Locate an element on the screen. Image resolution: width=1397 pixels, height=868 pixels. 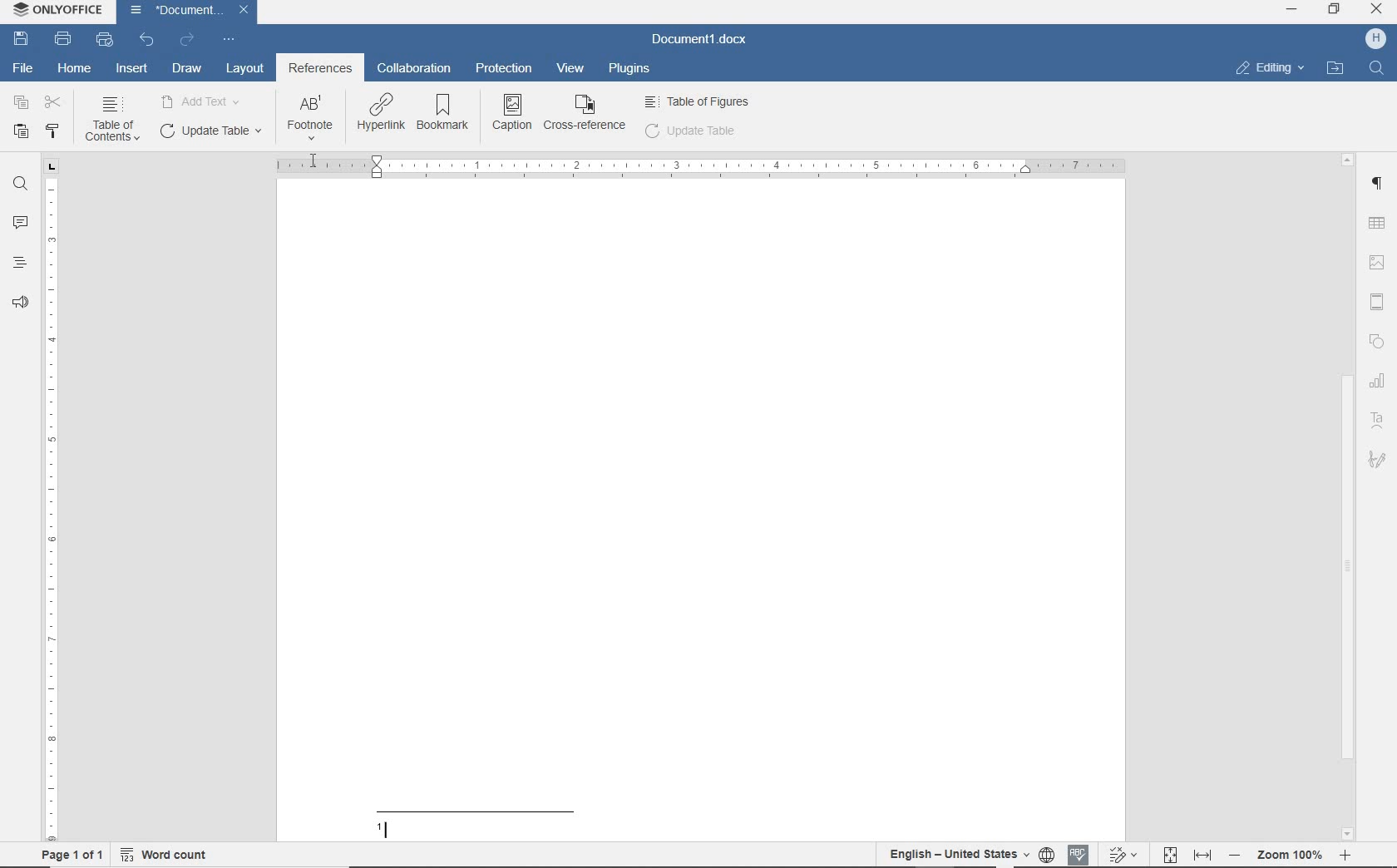
English — United States - is located at coordinates (956, 854).